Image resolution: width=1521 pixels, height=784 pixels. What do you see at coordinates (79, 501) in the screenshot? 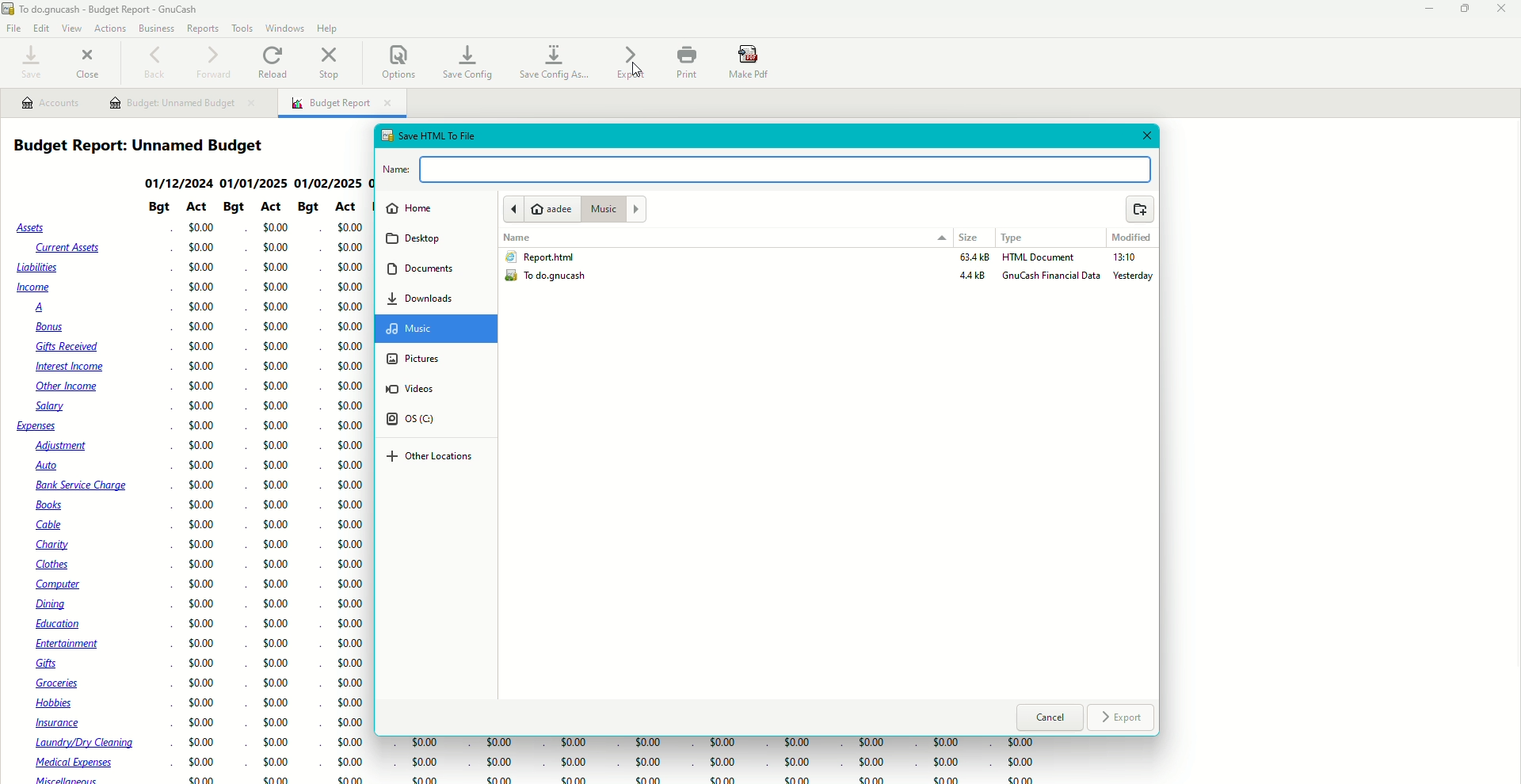
I see `Accounts and Sub-accounts` at bounding box center [79, 501].